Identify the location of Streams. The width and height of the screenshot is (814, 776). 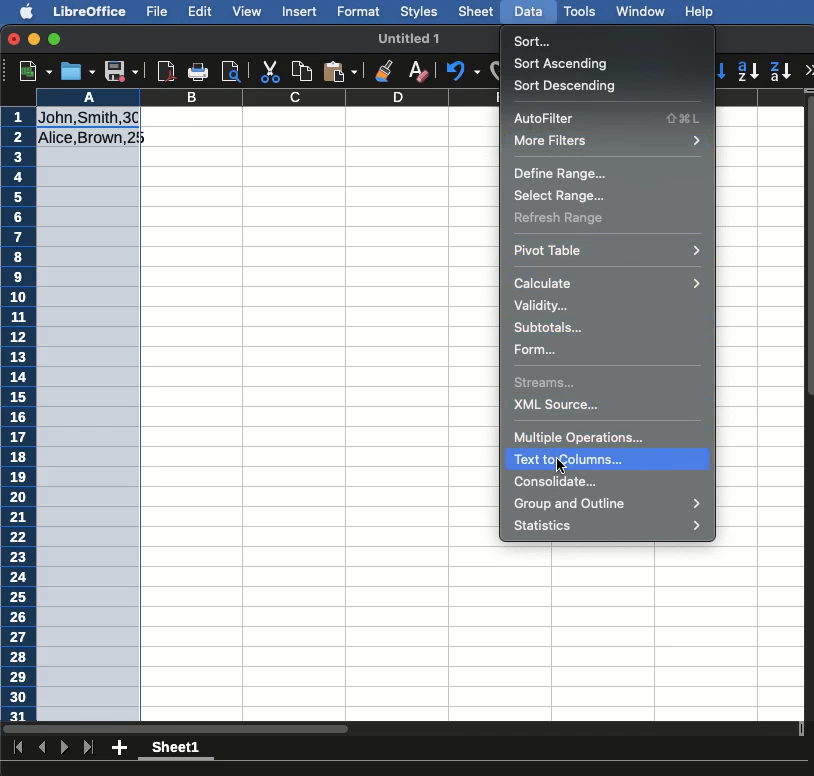
(549, 384).